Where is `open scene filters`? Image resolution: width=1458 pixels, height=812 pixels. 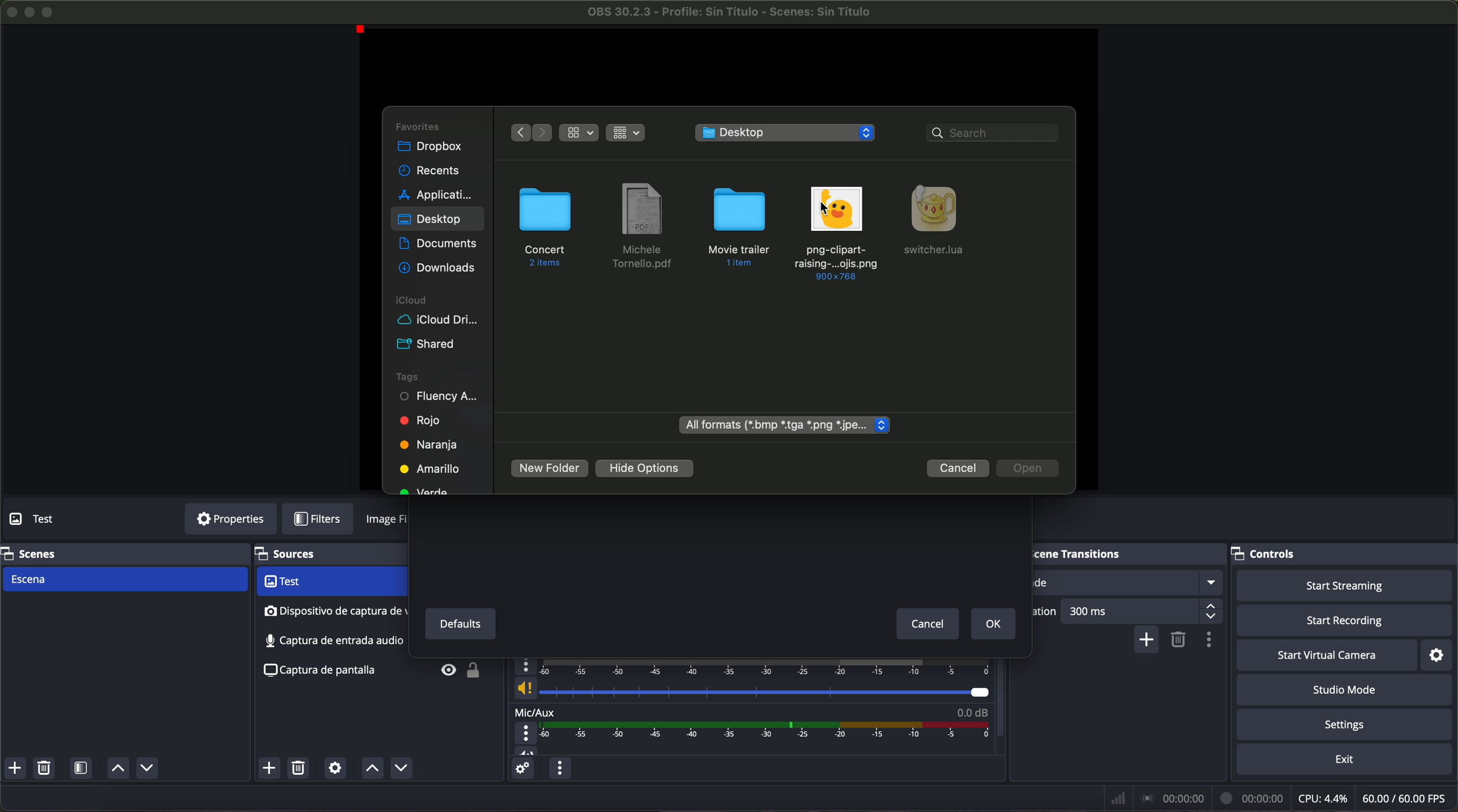
open scene filters is located at coordinates (83, 769).